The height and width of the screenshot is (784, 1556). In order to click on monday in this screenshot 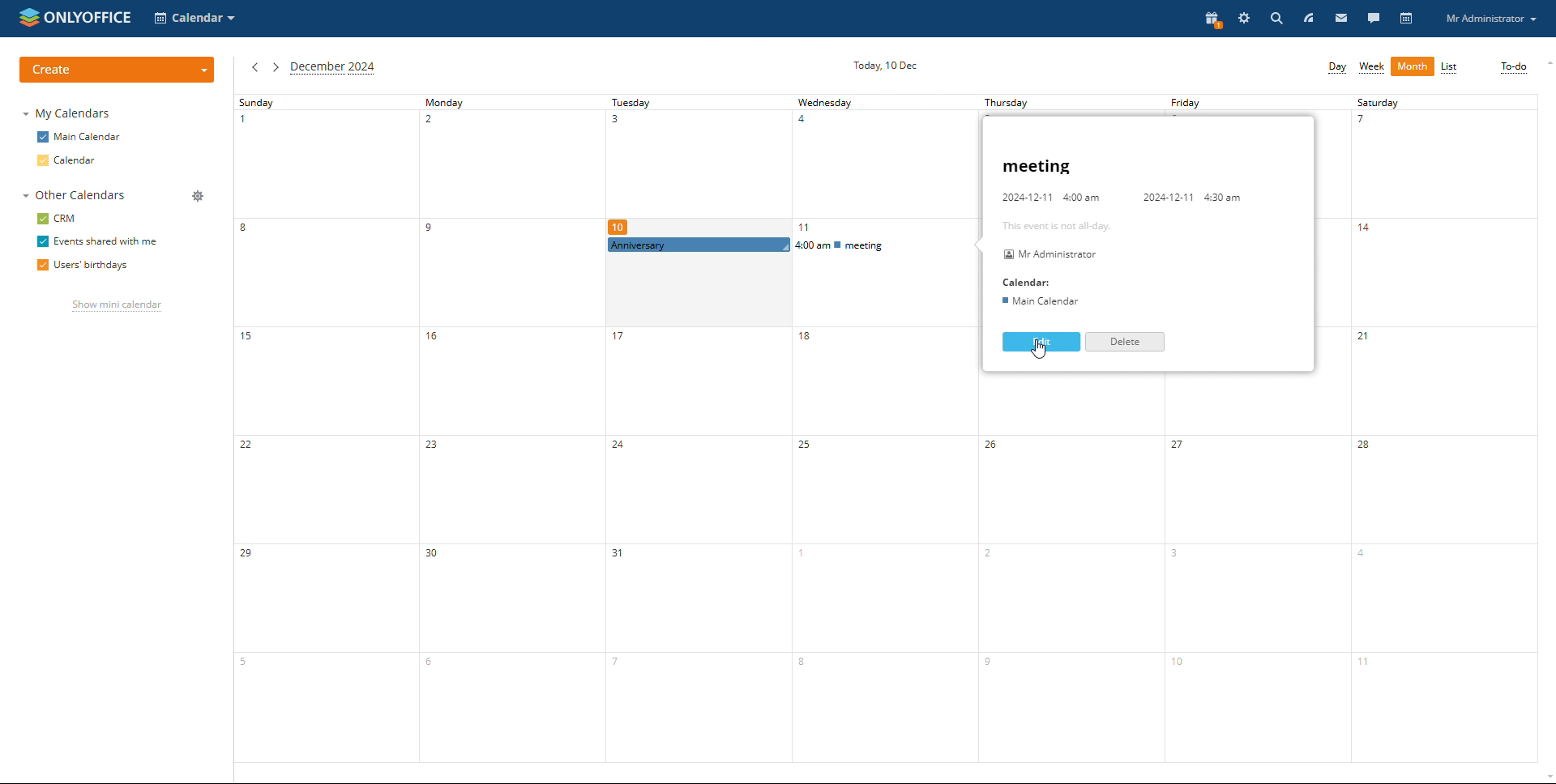, I will do `click(509, 428)`.